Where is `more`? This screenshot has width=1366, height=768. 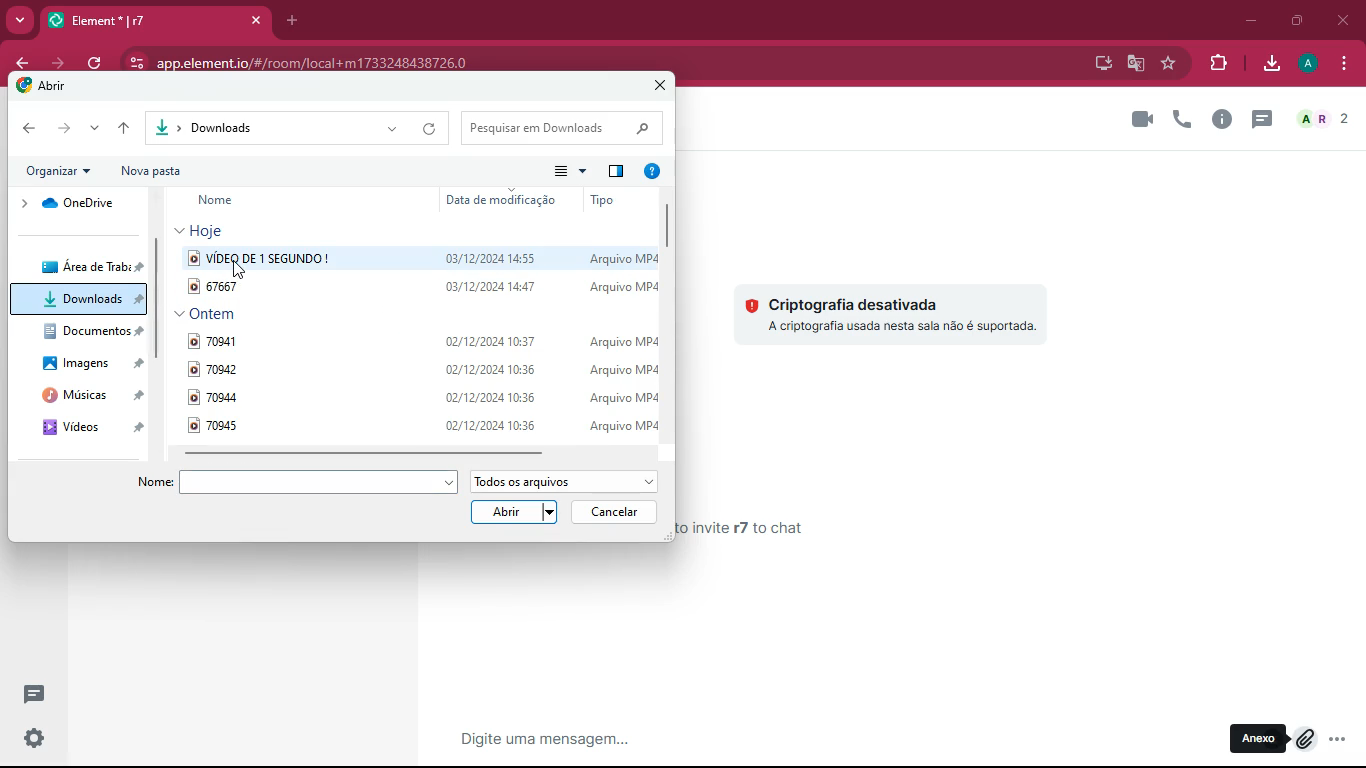
more is located at coordinates (19, 22).